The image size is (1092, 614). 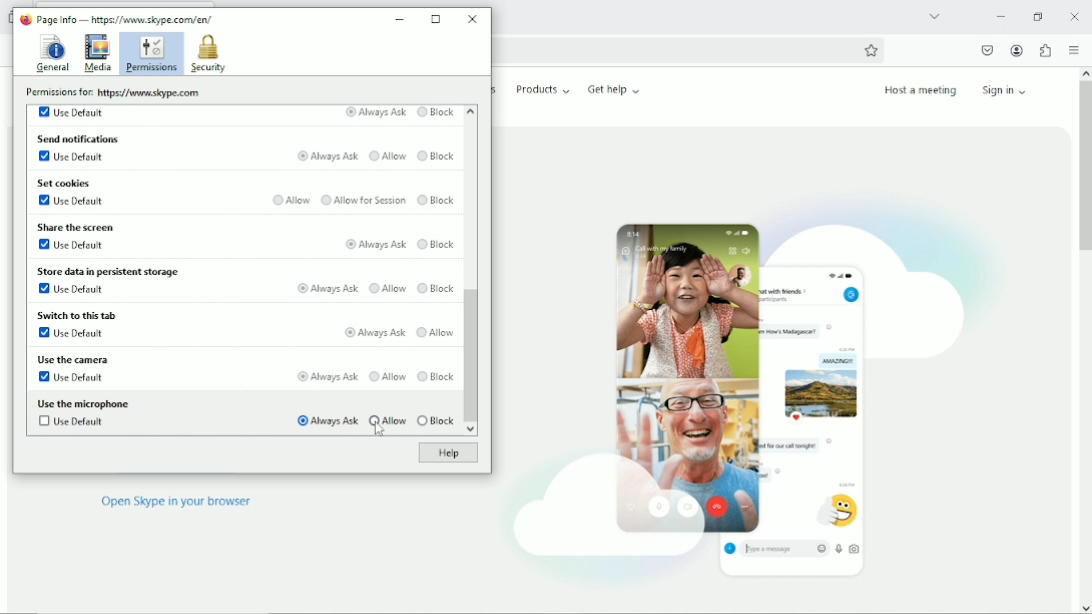 I want to click on Share the screen, so click(x=77, y=225).